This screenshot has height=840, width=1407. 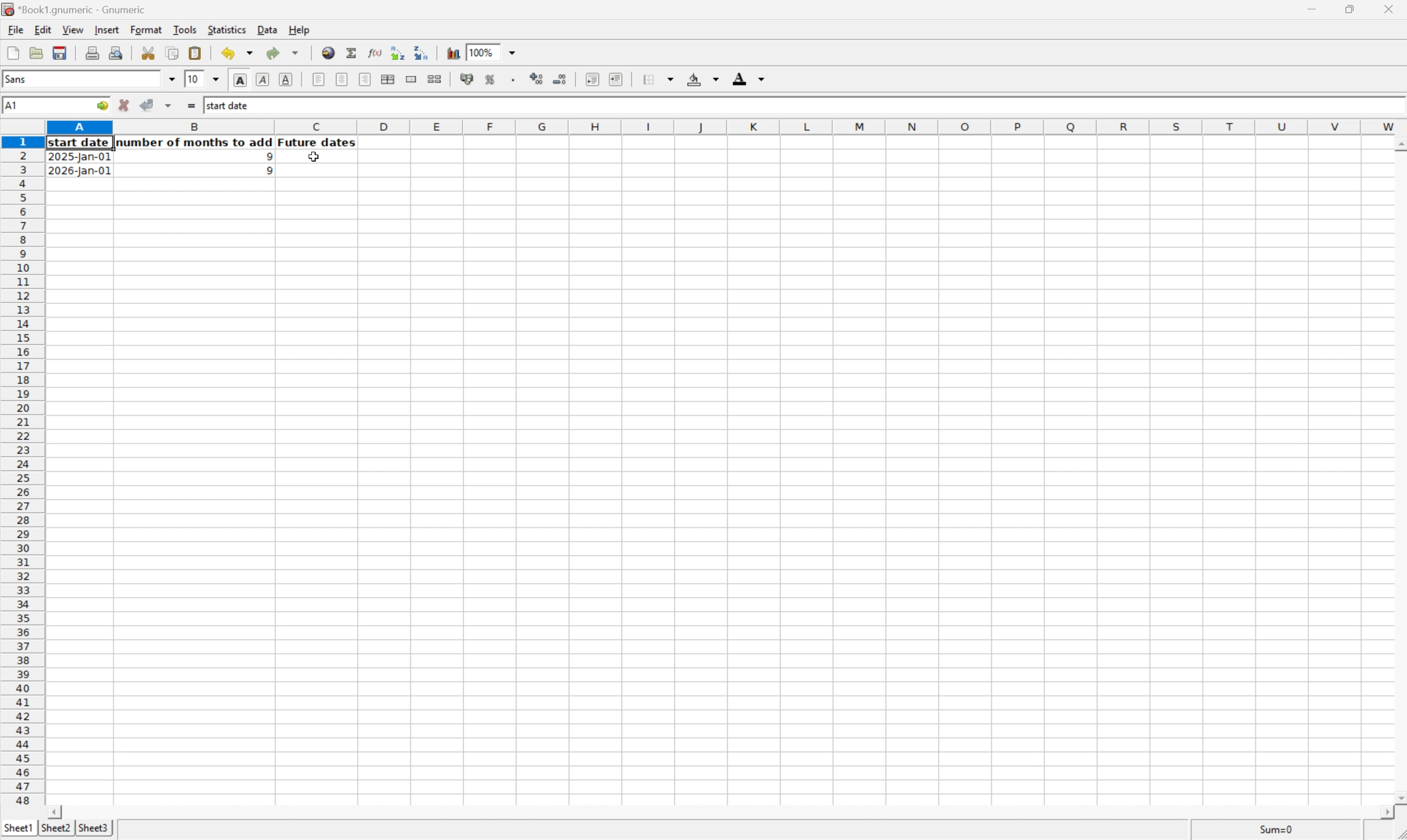 What do you see at coordinates (126, 105) in the screenshot?
I see `Cancel changes` at bounding box center [126, 105].